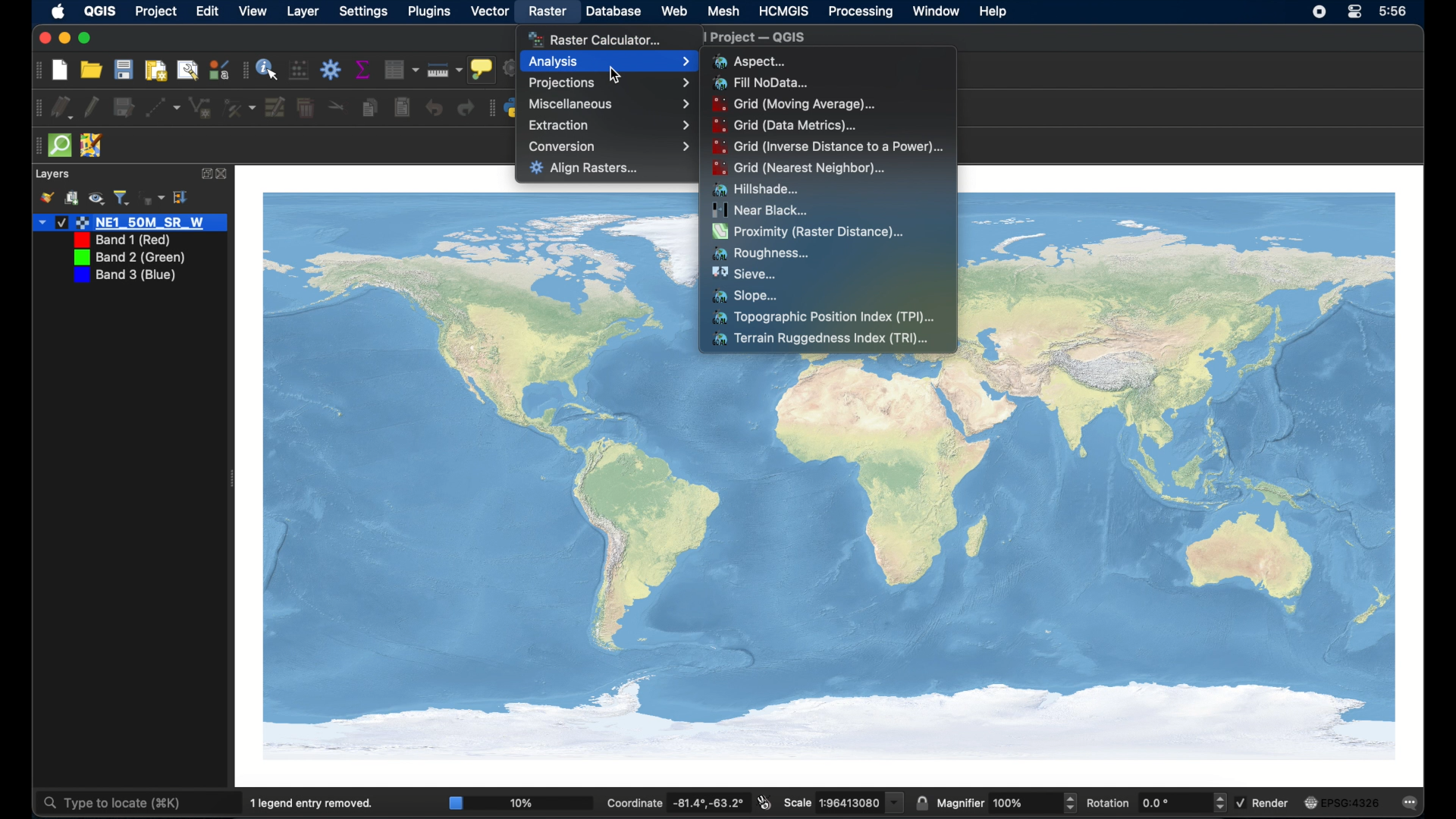 The width and height of the screenshot is (1456, 819). Describe the element at coordinates (59, 11) in the screenshot. I see `apple icon` at that location.